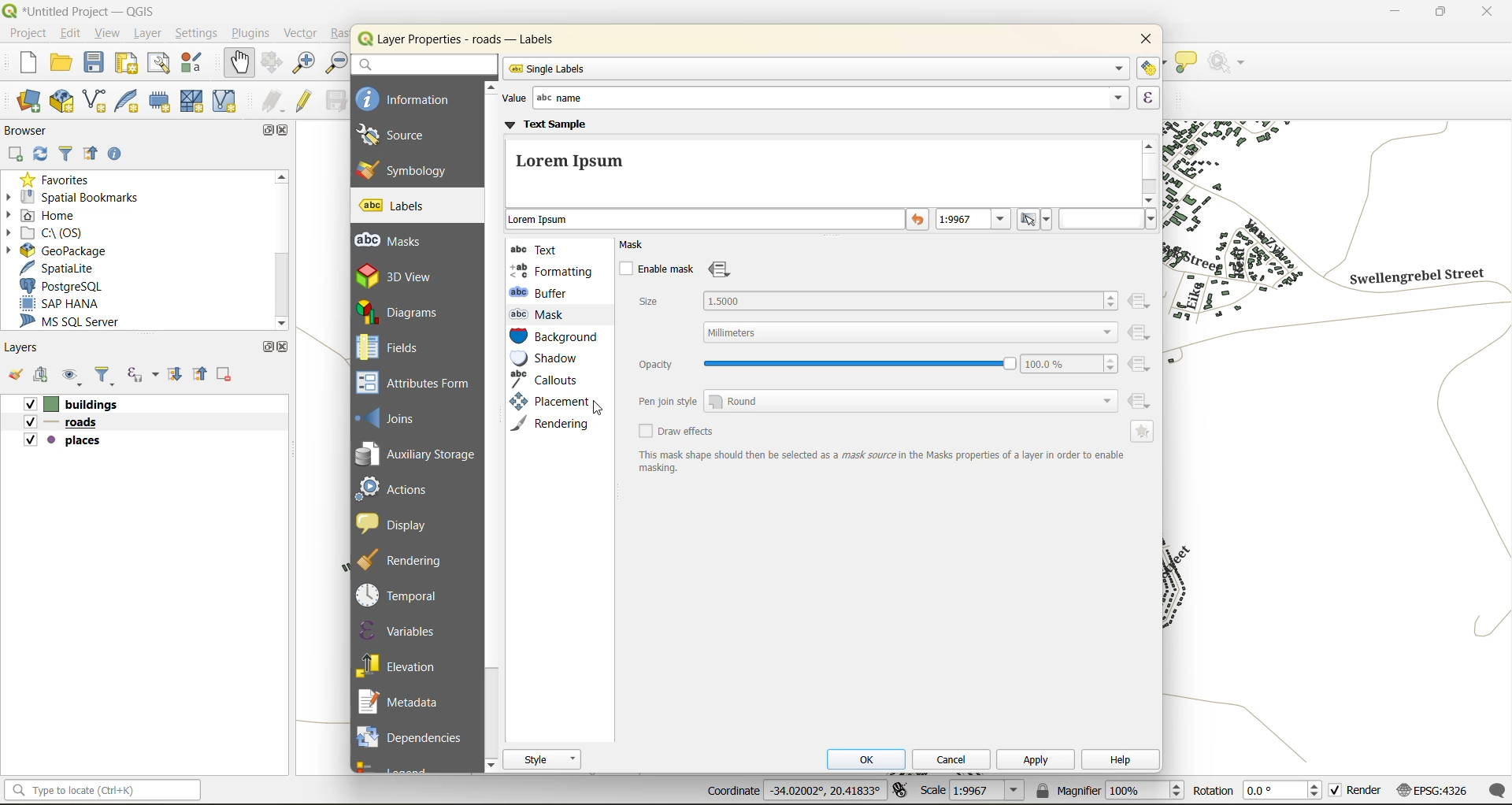  Describe the element at coordinates (821, 162) in the screenshot. I see `text sample` at that location.